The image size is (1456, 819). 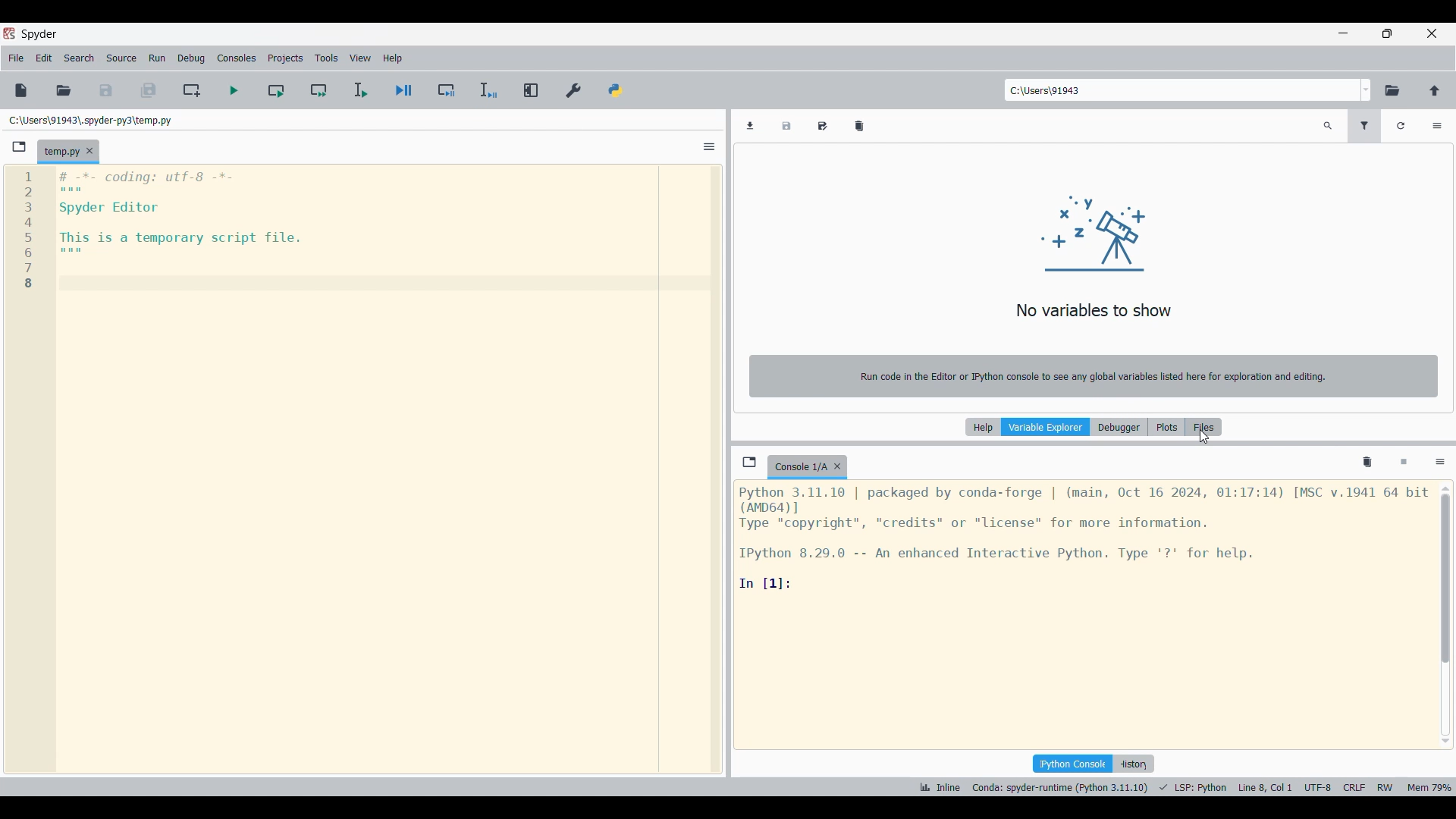 What do you see at coordinates (318, 89) in the screenshot?
I see `Run current cell and fo to next one` at bounding box center [318, 89].